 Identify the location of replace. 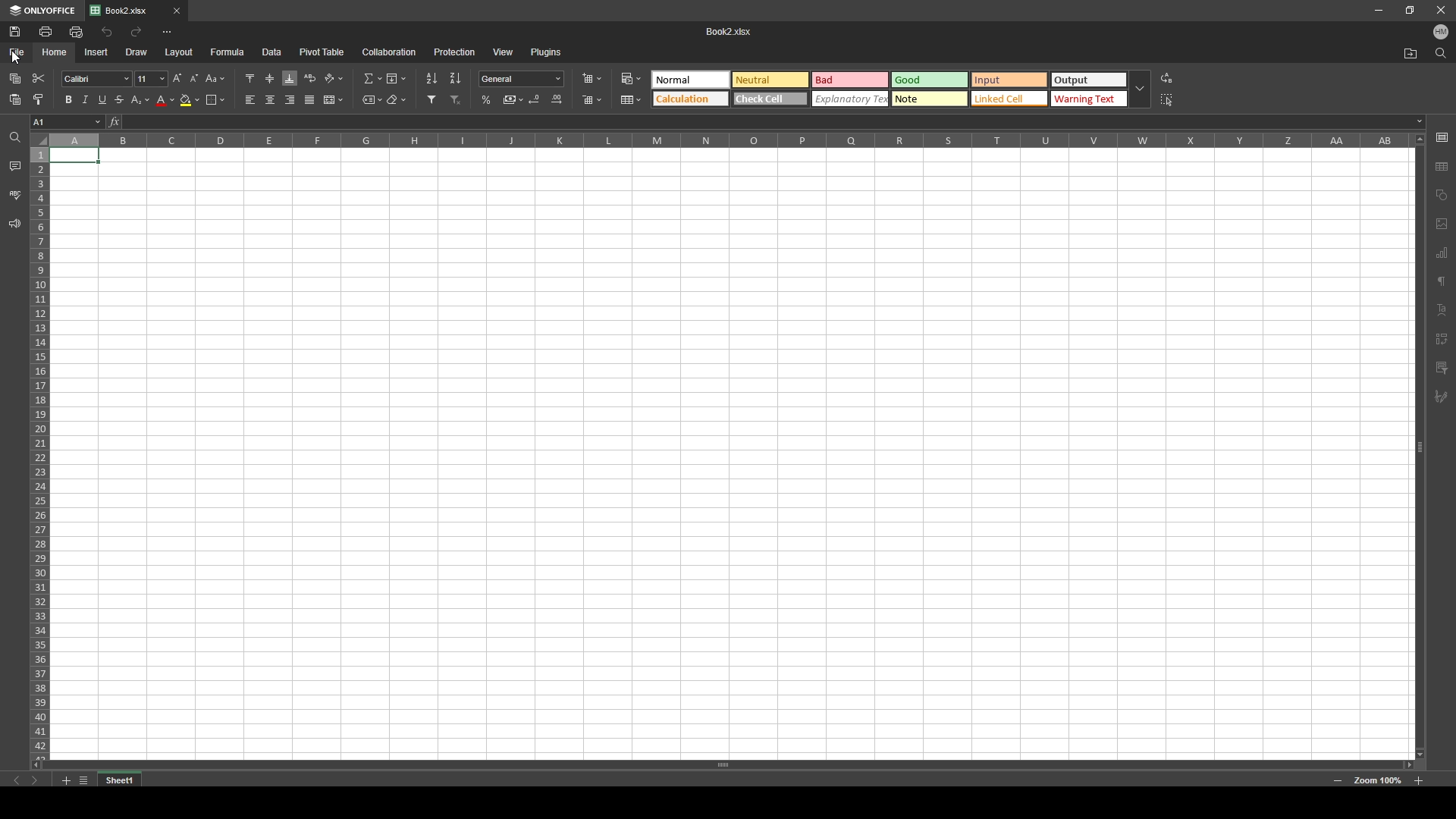
(1167, 77).